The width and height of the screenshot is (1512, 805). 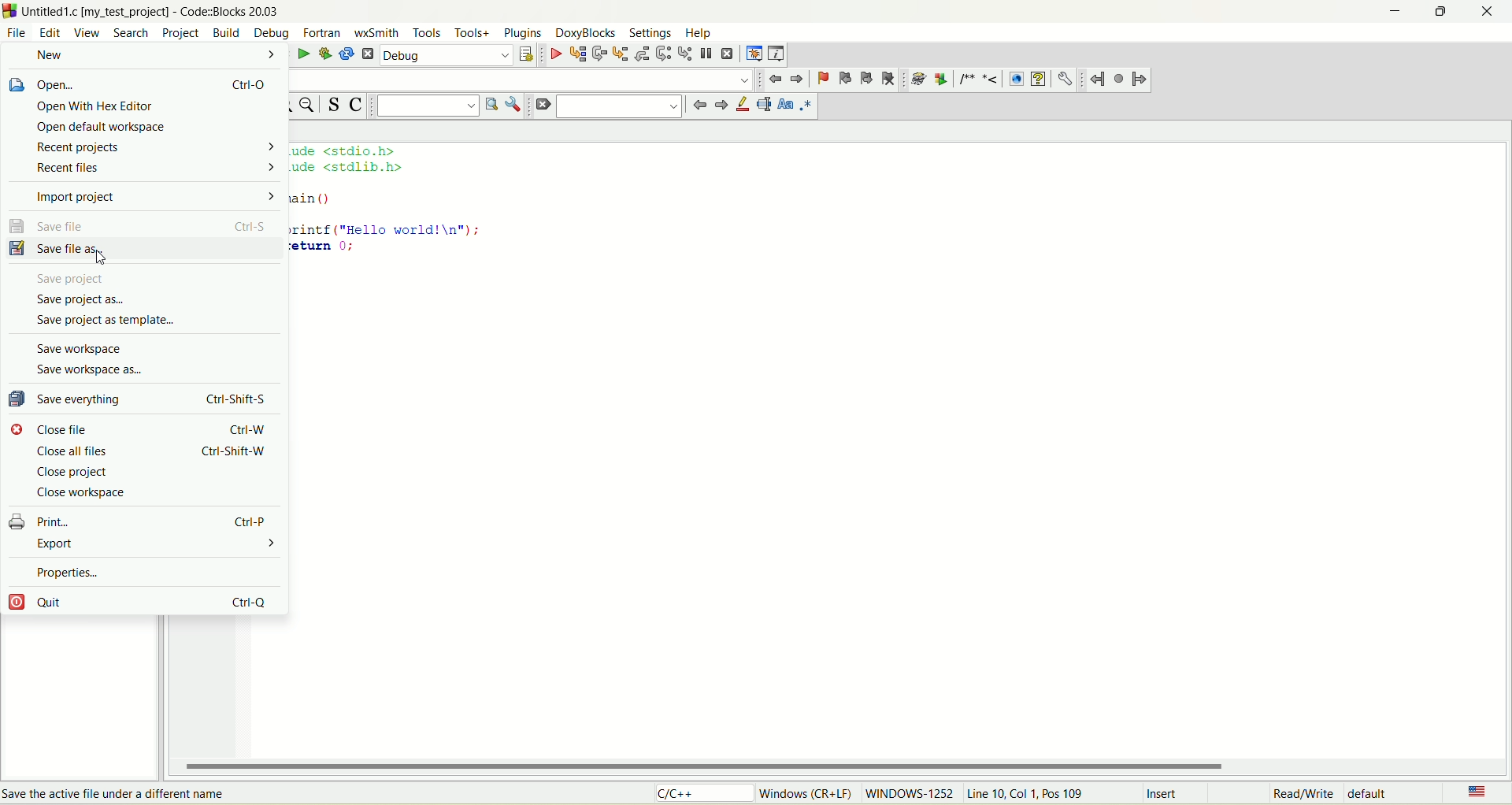 What do you see at coordinates (650, 32) in the screenshot?
I see `settings` at bounding box center [650, 32].